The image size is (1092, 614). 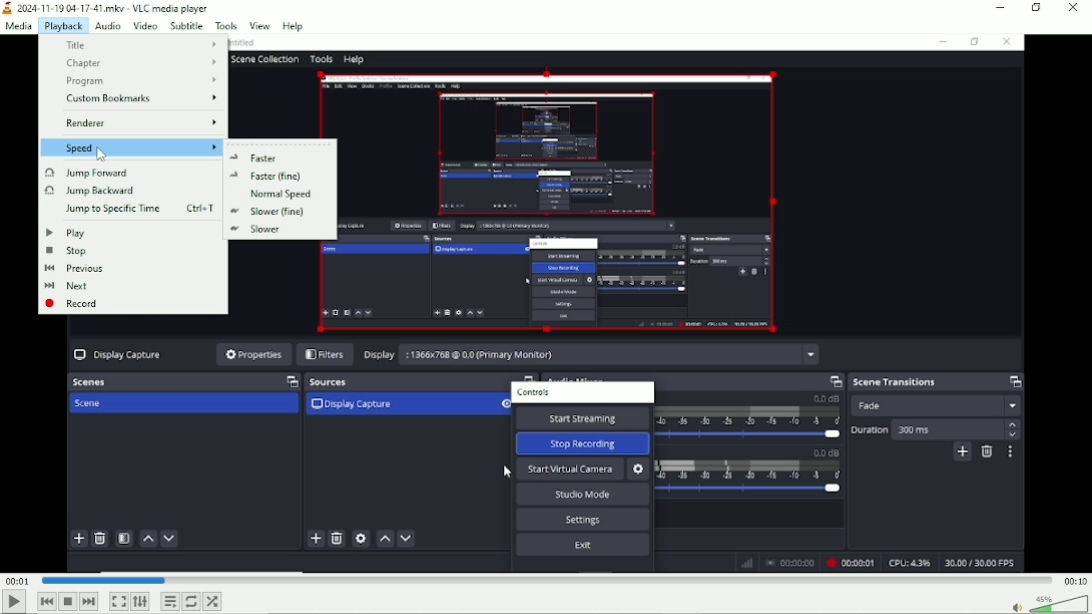 What do you see at coordinates (134, 122) in the screenshot?
I see `renderer` at bounding box center [134, 122].